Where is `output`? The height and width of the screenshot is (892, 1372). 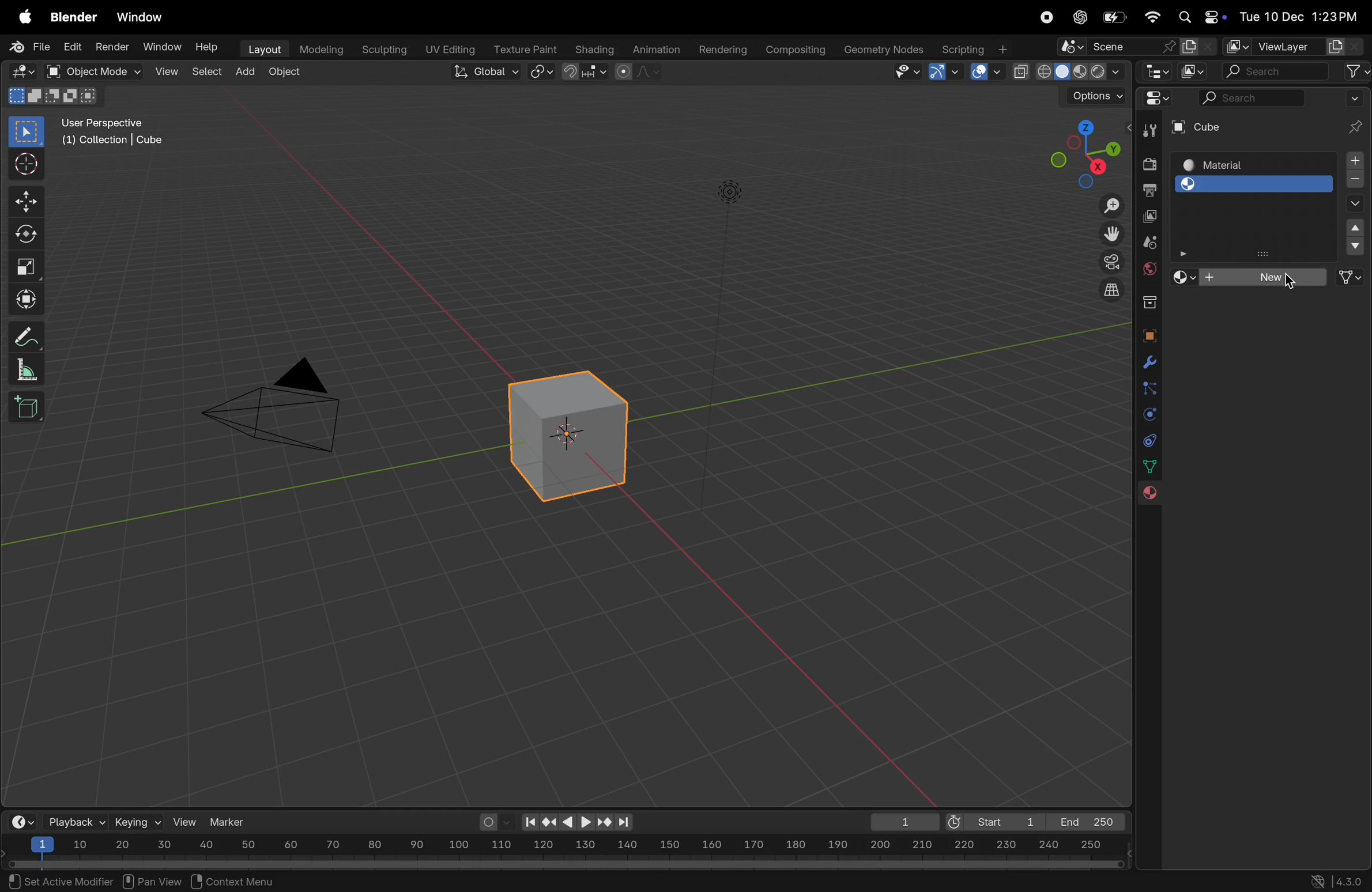 output is located at coordinates (1149, 190).